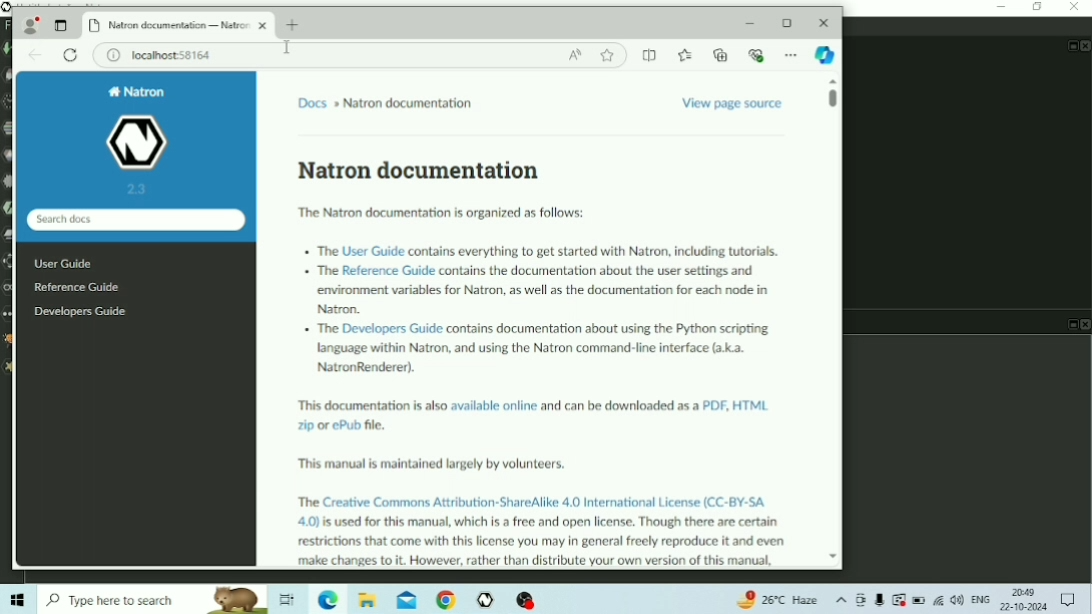 This screenshot has width=1092, height=614. What do you see at coordinates (1069, 599) in the screenshot?
I see `Notifications` at bounding box center [1069, 599].